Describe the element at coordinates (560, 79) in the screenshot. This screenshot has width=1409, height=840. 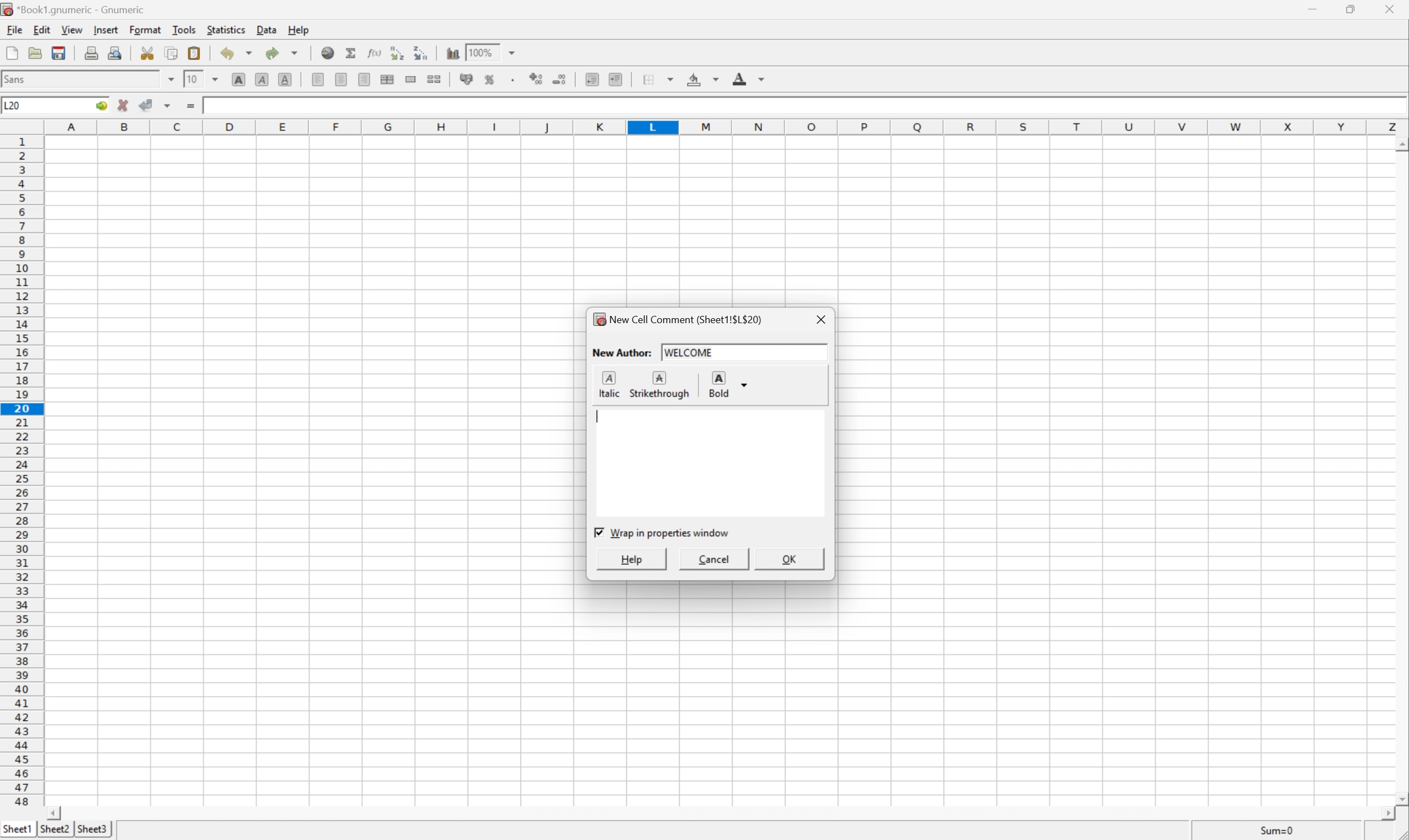
I see `Decrease number of decimals displayed` at that location.